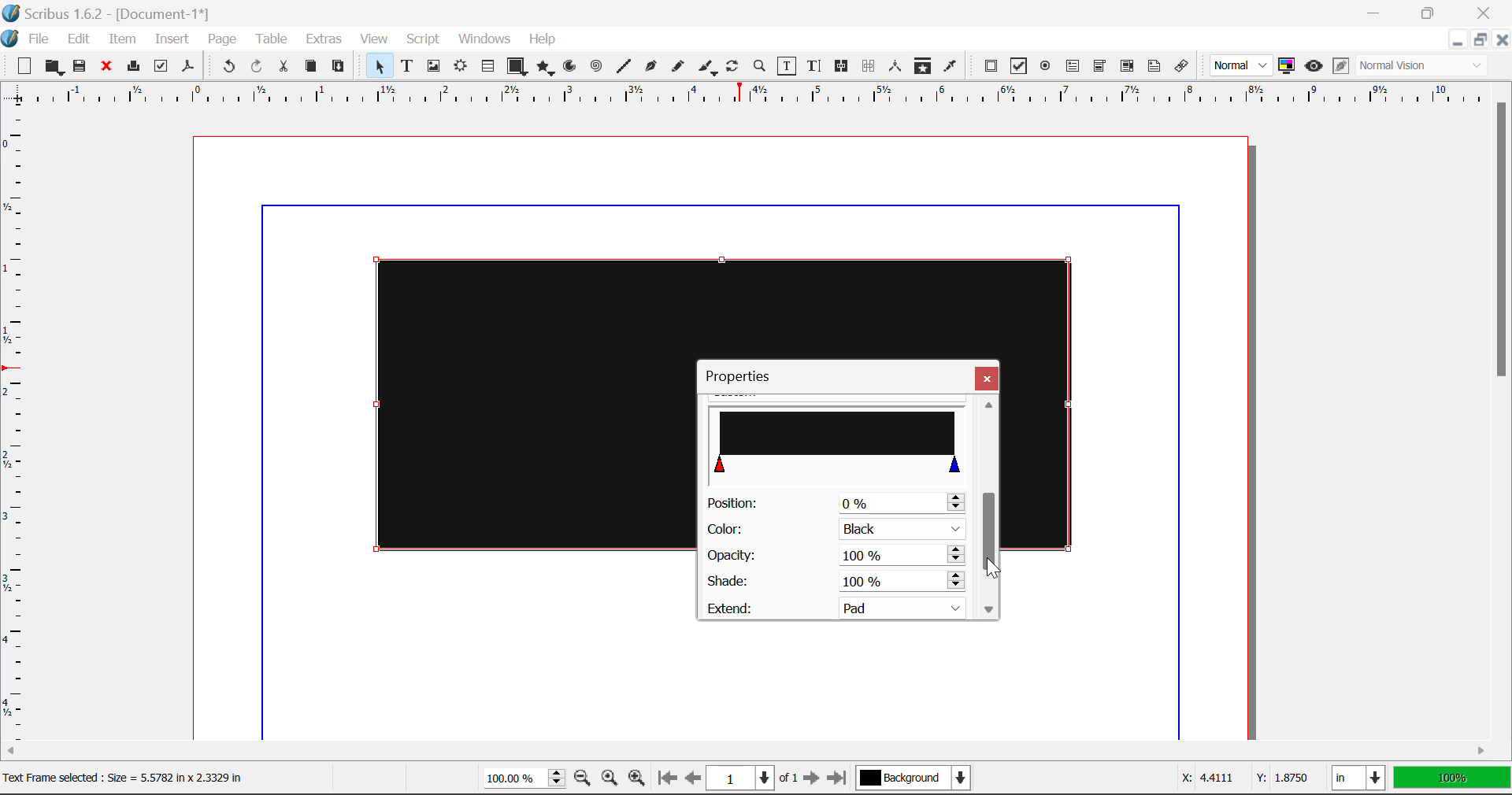 Image resolution: width=1512 pixels, height=795 pixels. Describe the element at coordinates (127, 778) in the screenshot. I see `Text Frame selected : Size = 5.5782 In x 2.3329 in` at that location.